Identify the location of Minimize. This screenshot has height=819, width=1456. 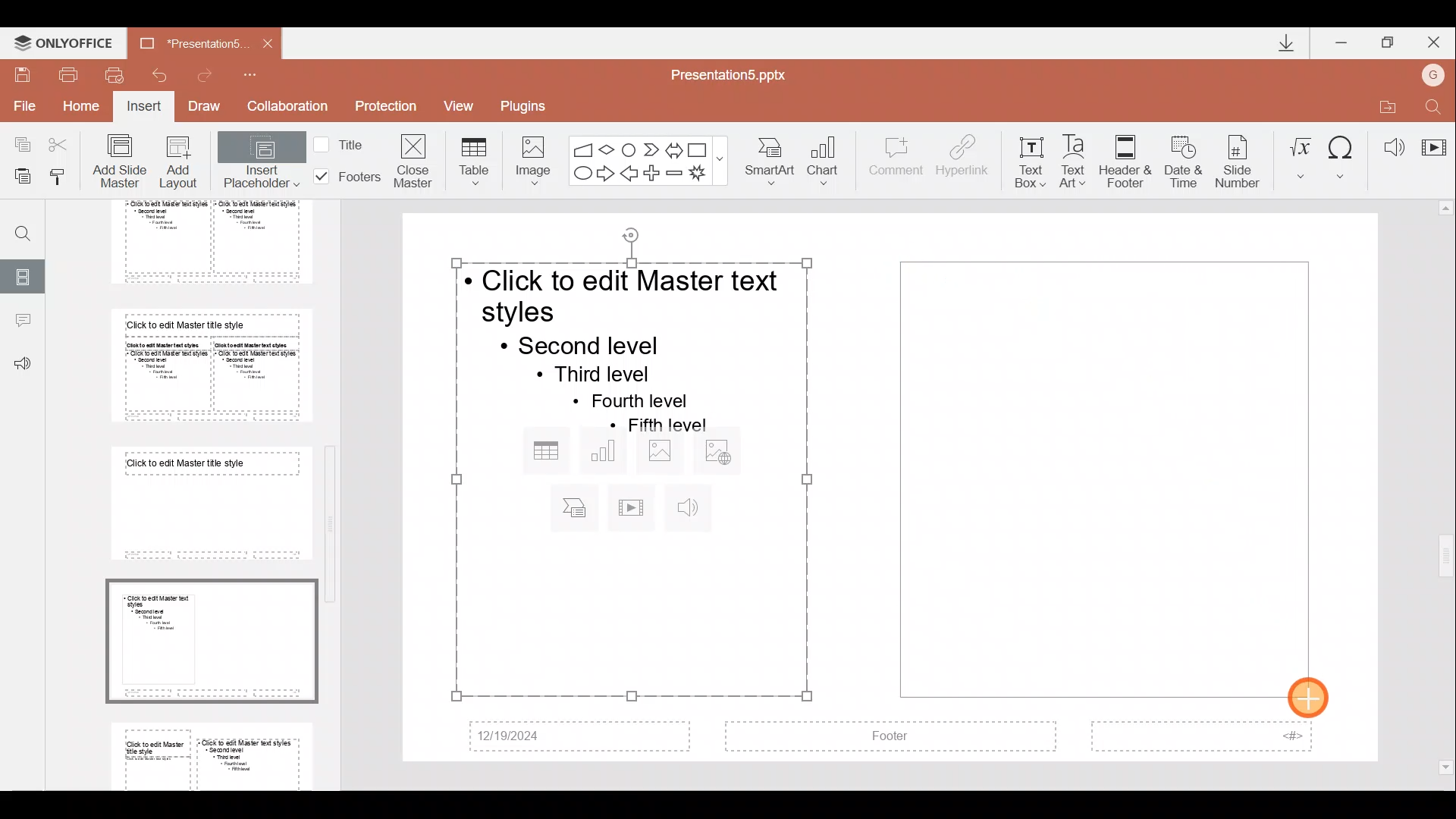
(1342, 39).